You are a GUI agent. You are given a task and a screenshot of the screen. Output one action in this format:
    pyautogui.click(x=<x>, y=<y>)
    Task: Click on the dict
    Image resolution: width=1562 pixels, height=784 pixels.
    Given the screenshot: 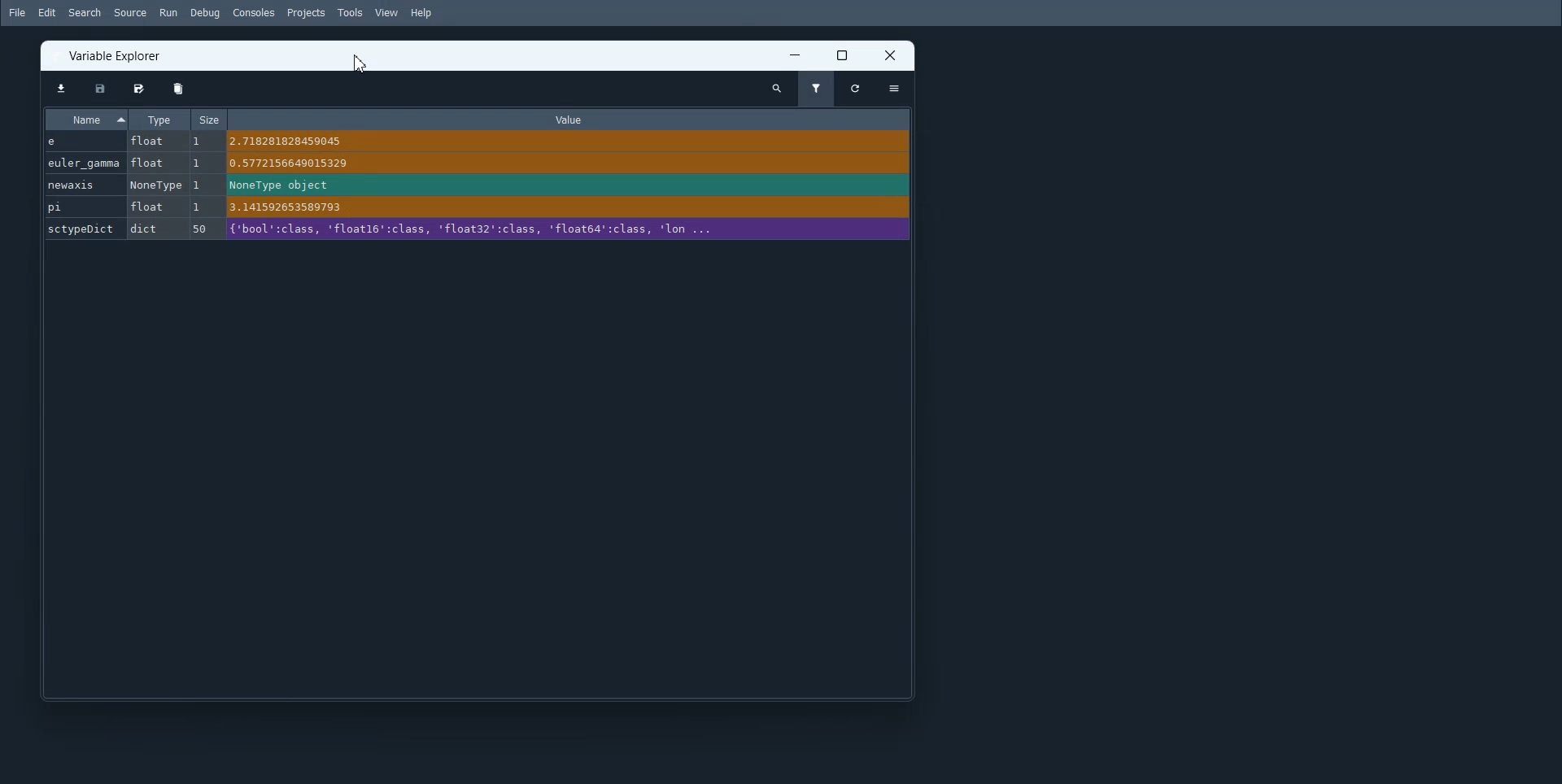 What is the action you would take?
    pyautogui.click(x=147, y=228)
    